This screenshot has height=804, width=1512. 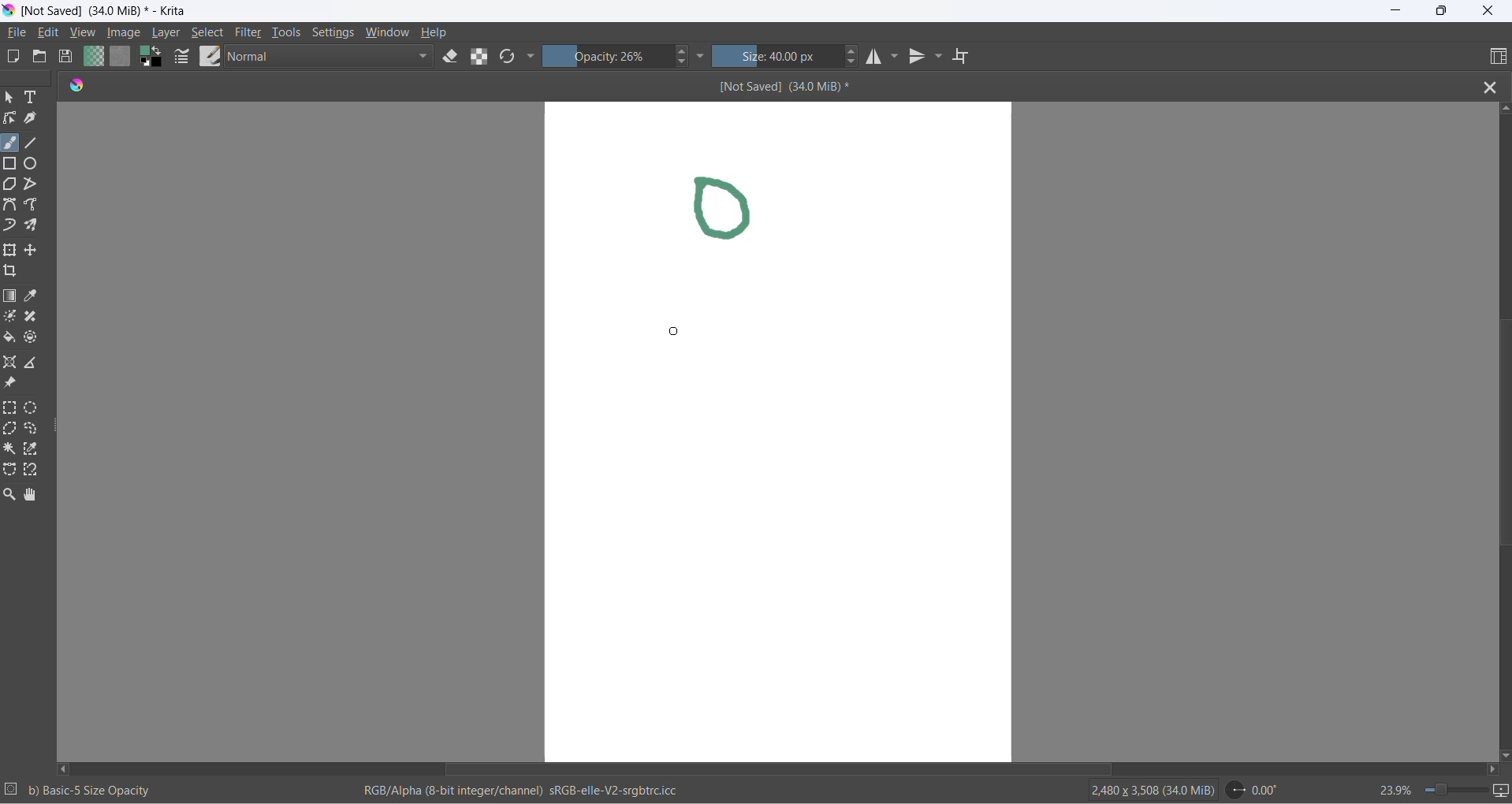 What do you see at coordinates (12, 141) in the screenshot?
I see `freehand brush tool` at bounding box center [12, 141].